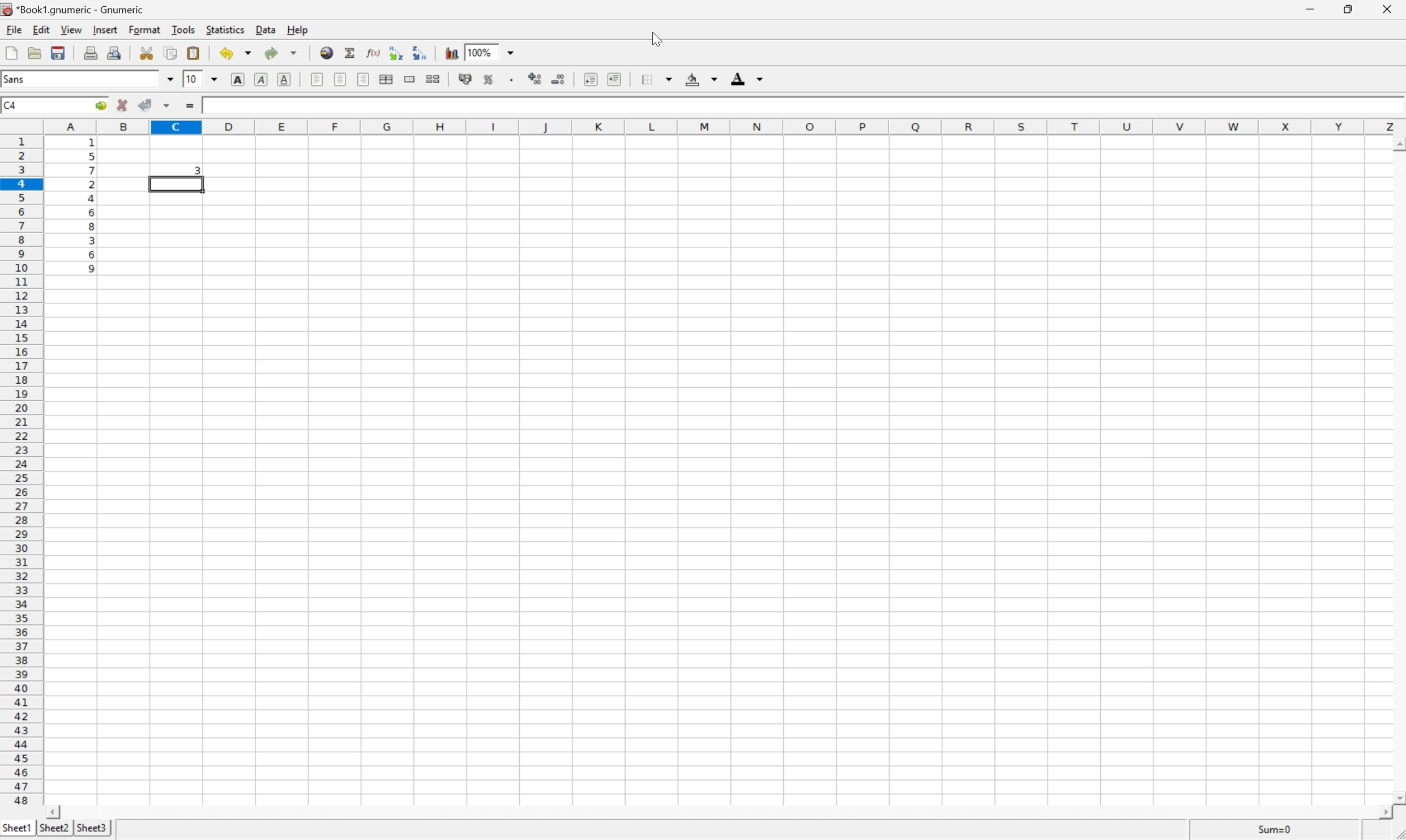  What do you see at coordinates (71, 29) in the screenshot?
I see `view` at bounding box center [71, 29].